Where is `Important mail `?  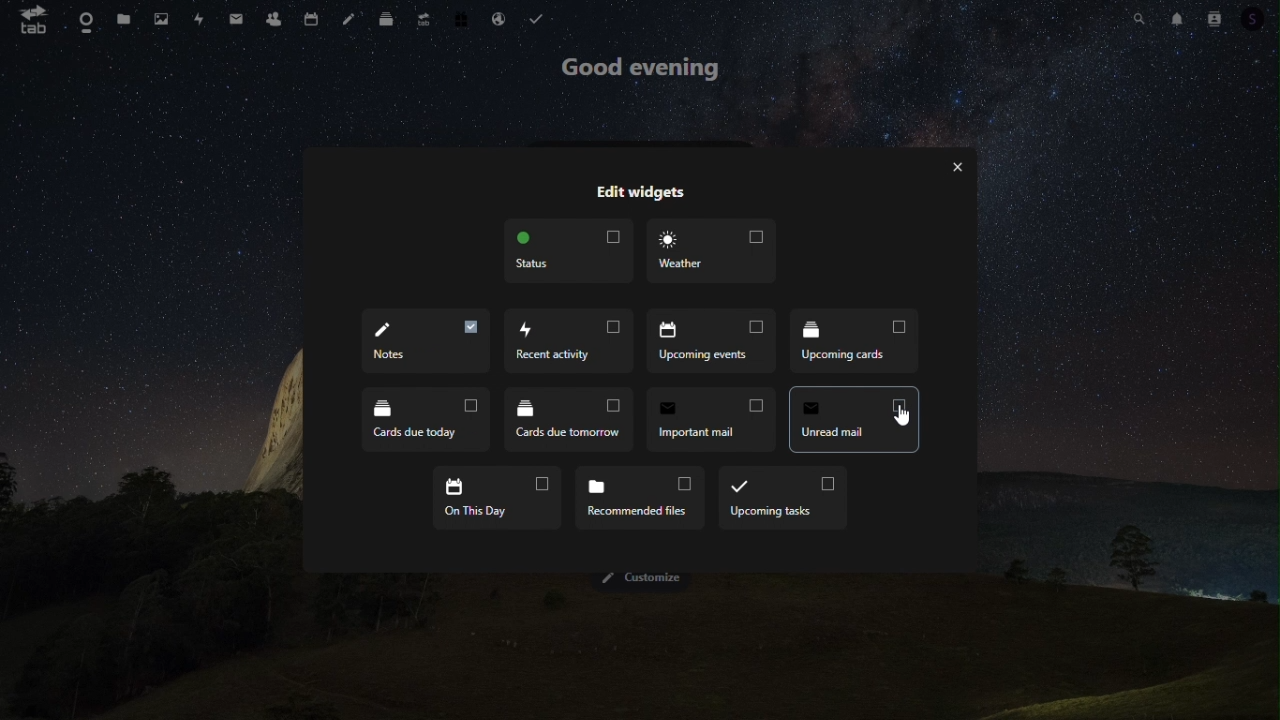
Important mail  is located at coordinates (569, 420).